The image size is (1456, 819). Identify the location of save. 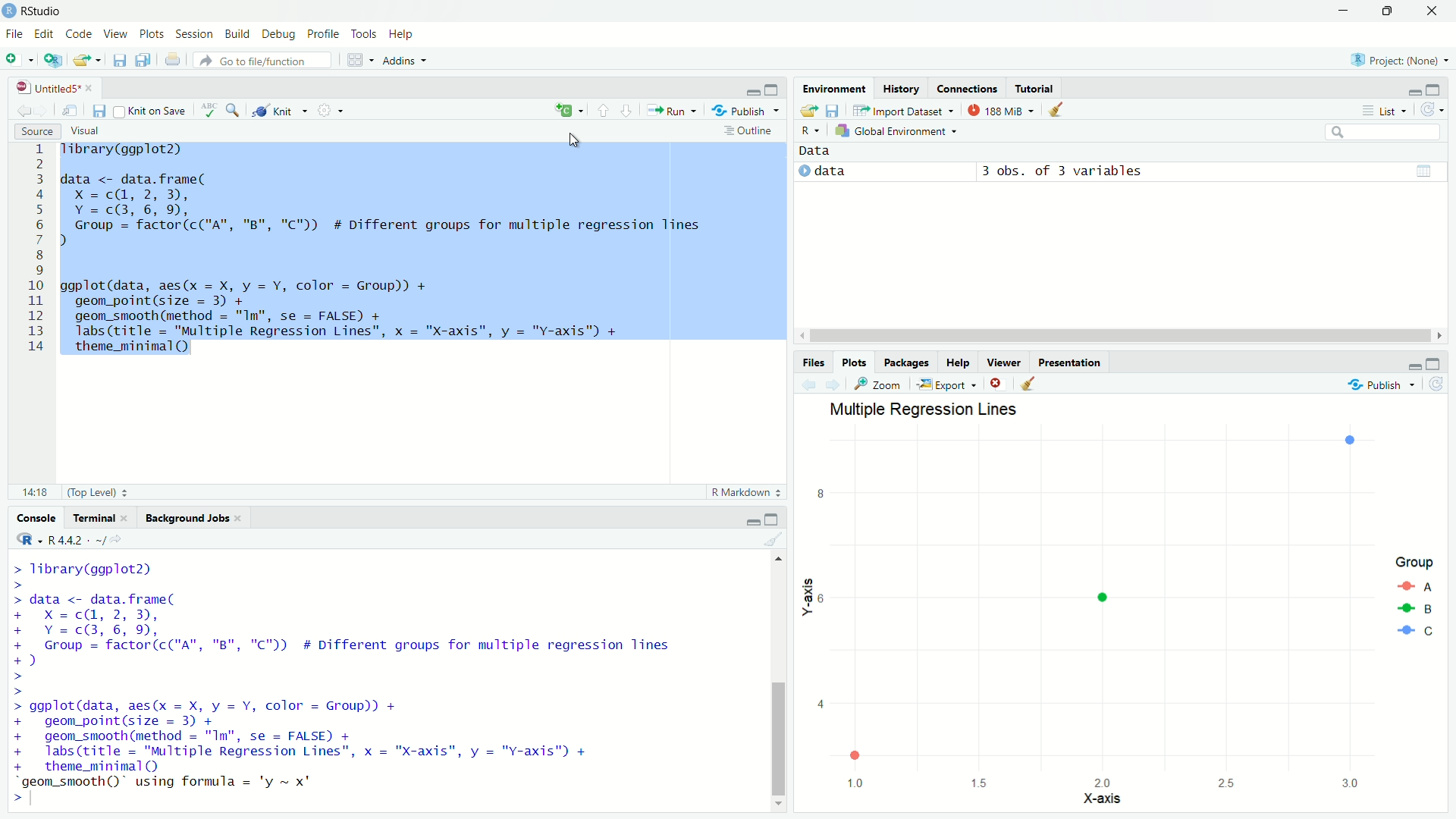
(116, 59).